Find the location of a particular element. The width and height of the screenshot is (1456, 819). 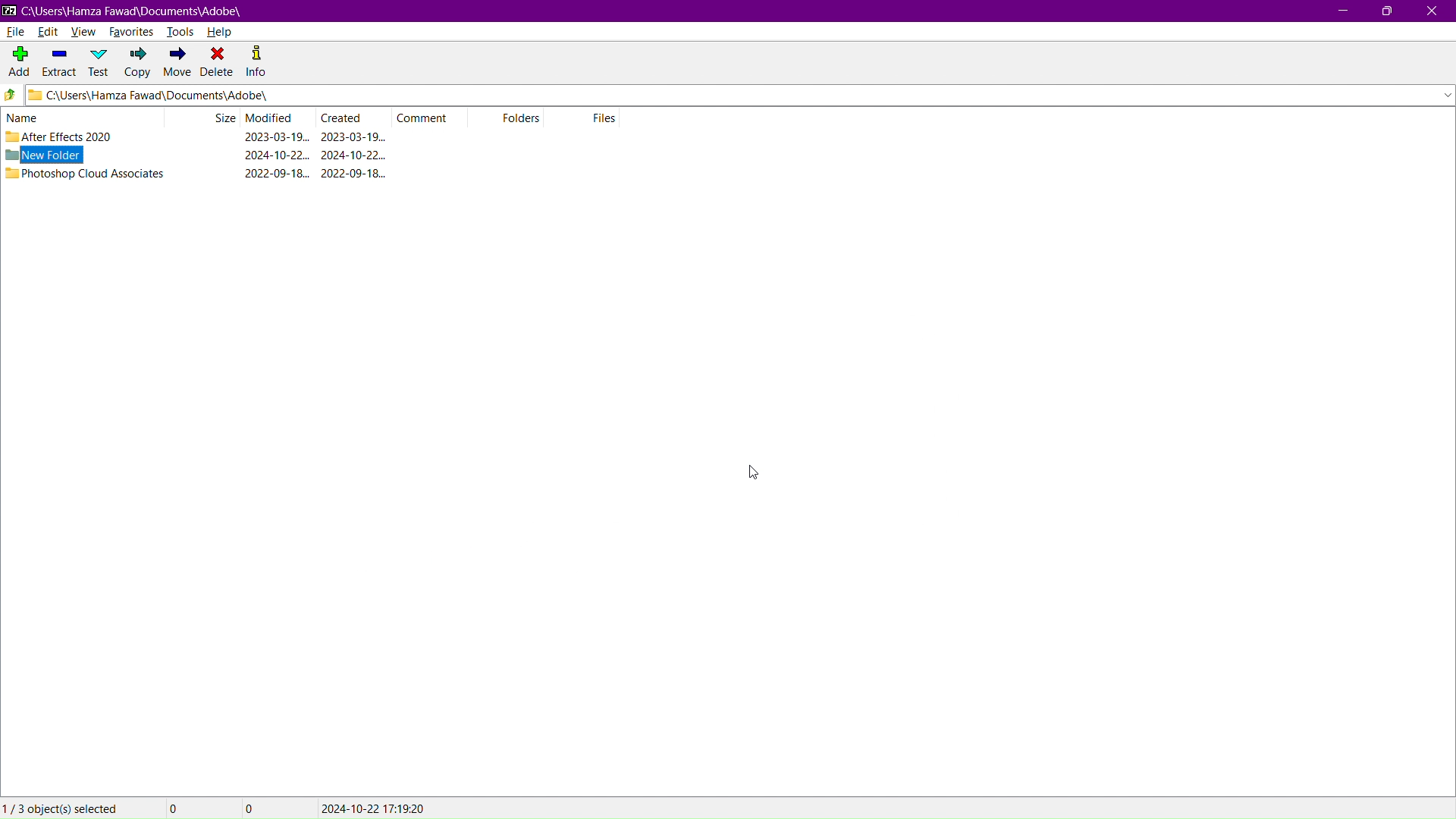

Files is located at coordinates (585, 118).